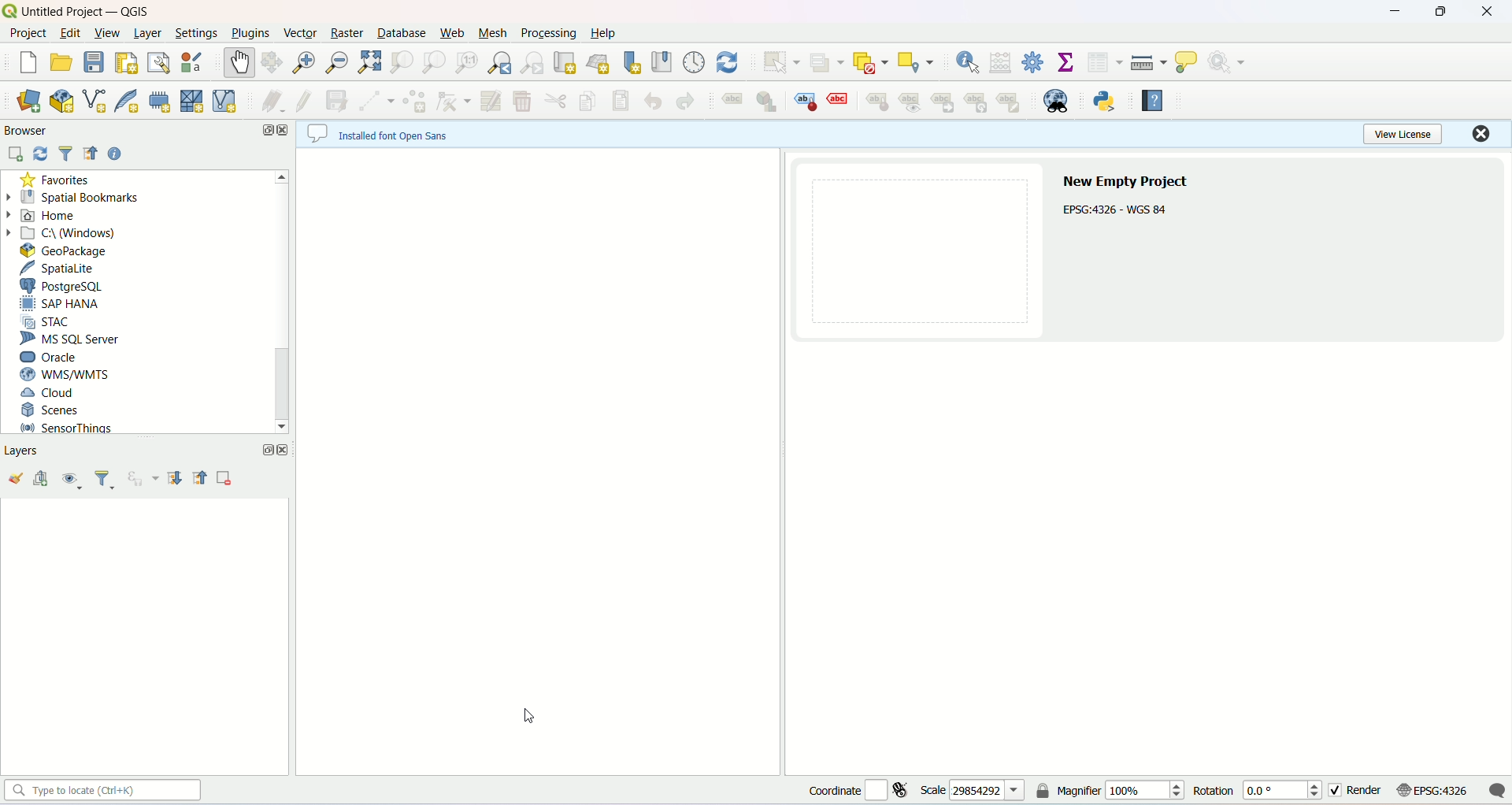 This screenshot has width=1512, height=805. What do you see at coordinates (1186, 59) in the screenshot?
I see `` at bounding box center [1186, 59].